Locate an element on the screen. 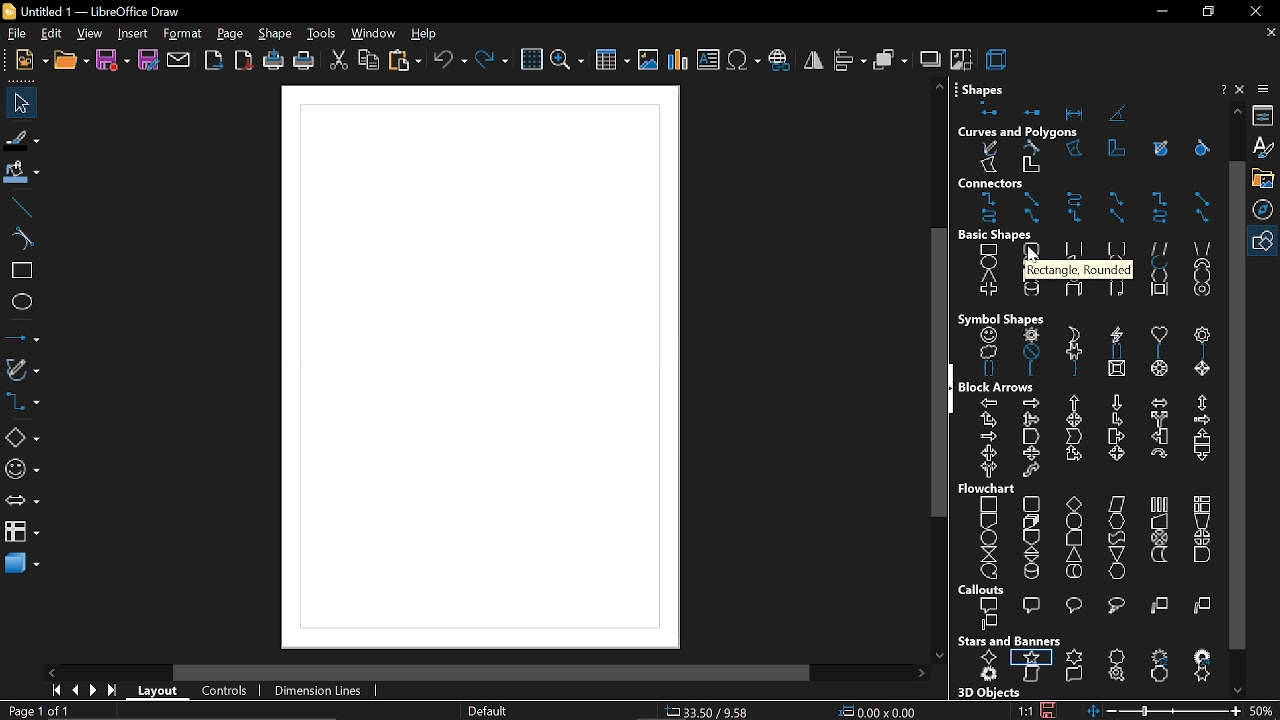 The width and height of the screenshot is (1280, 720). scroll down is located at coordinates (939, 651).